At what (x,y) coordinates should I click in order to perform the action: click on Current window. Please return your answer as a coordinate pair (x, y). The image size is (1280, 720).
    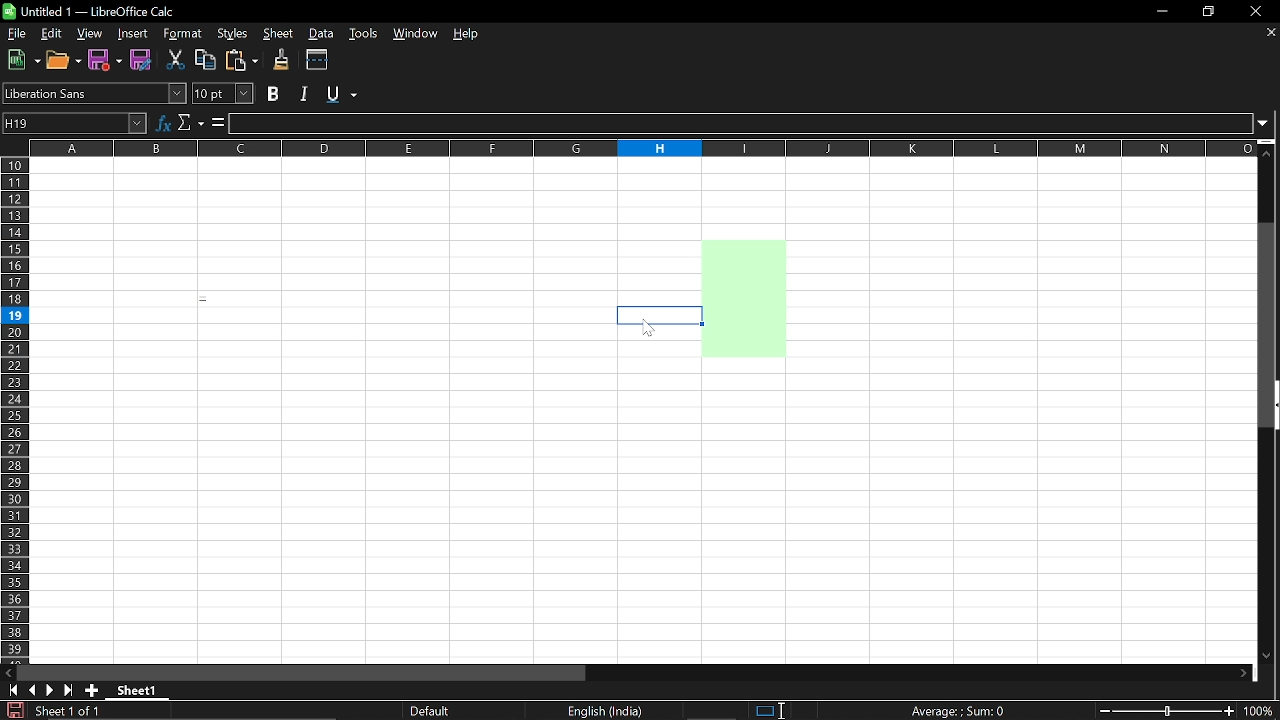
    Looking at the image, I should click on (99, 11).